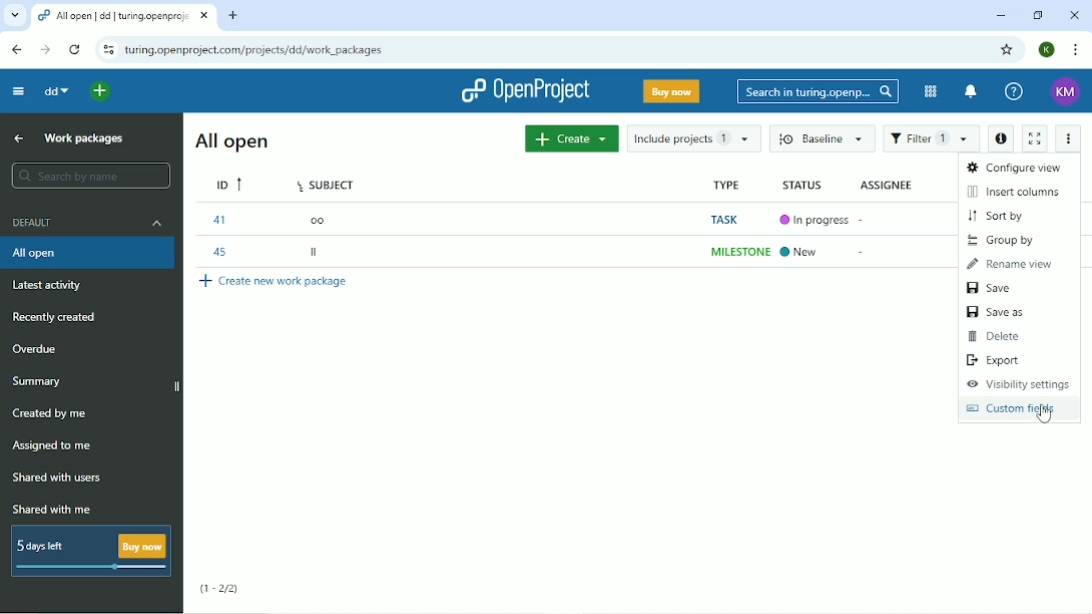  I want to click on Baseline, so click(824, 140).